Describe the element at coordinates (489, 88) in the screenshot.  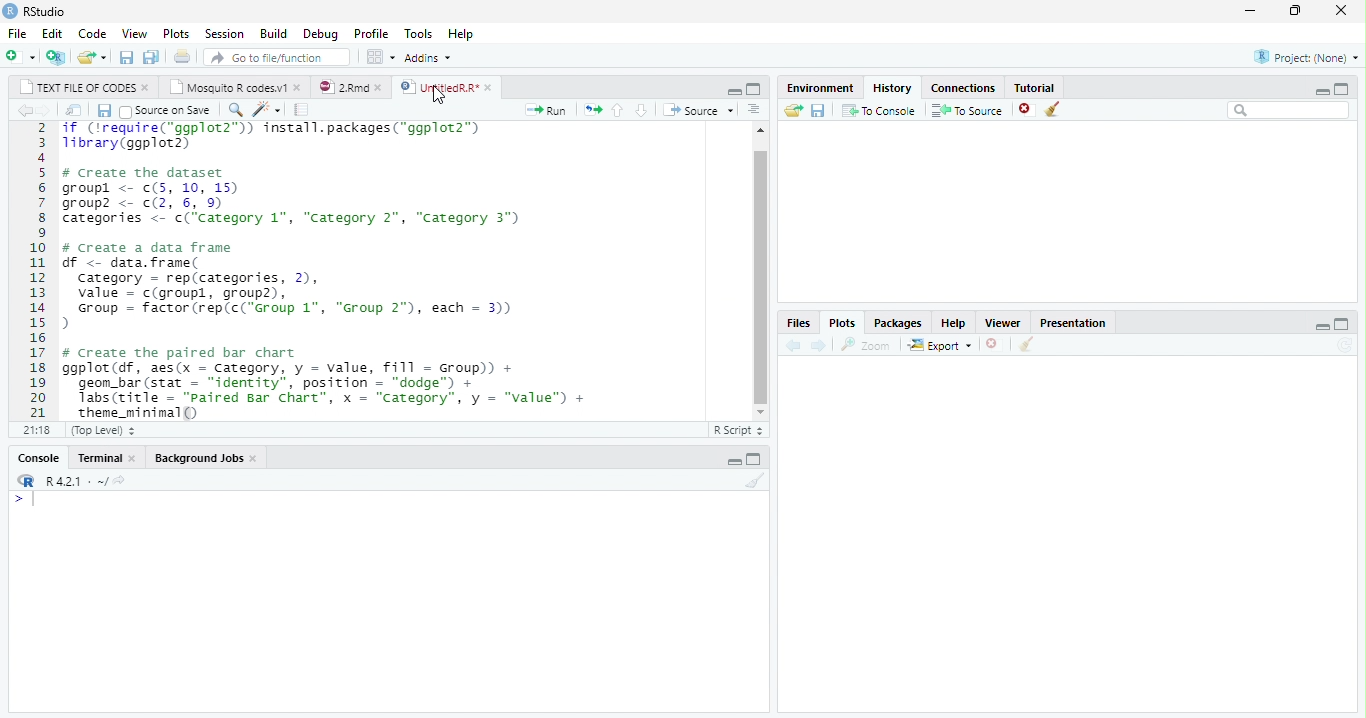
I see `close` at that location.